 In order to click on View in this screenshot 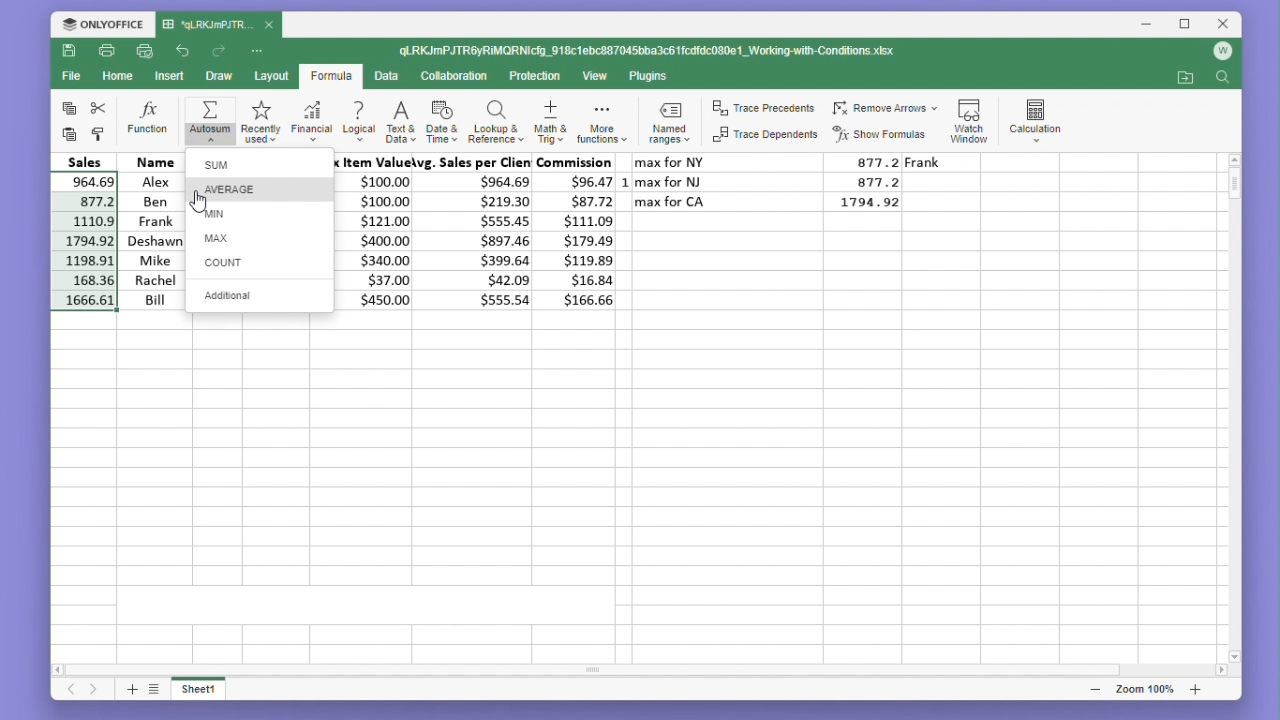, I will do `click(596, 76)`.